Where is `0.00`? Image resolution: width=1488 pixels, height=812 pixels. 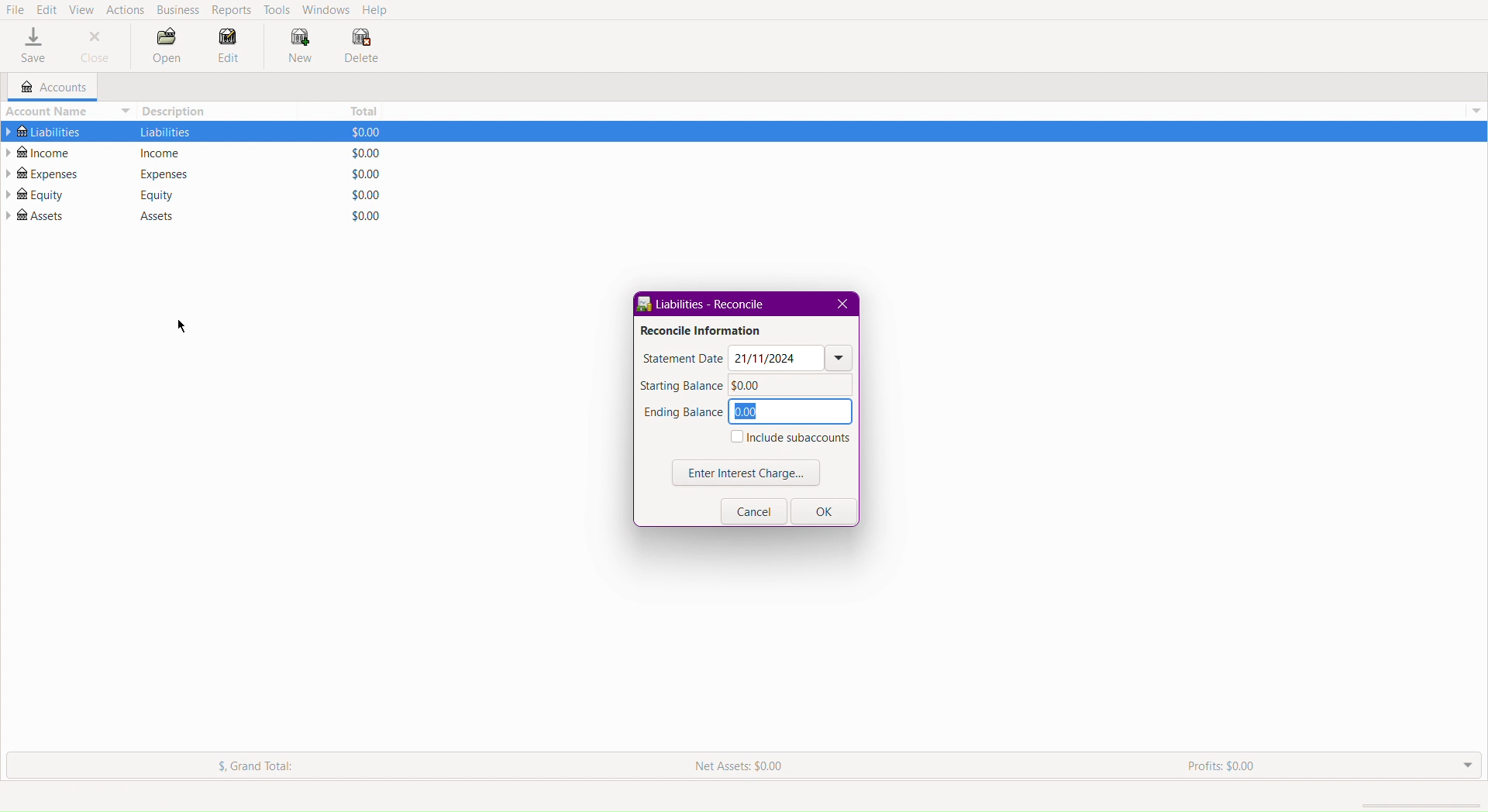 0.00 is located at coordinates (790, 411).